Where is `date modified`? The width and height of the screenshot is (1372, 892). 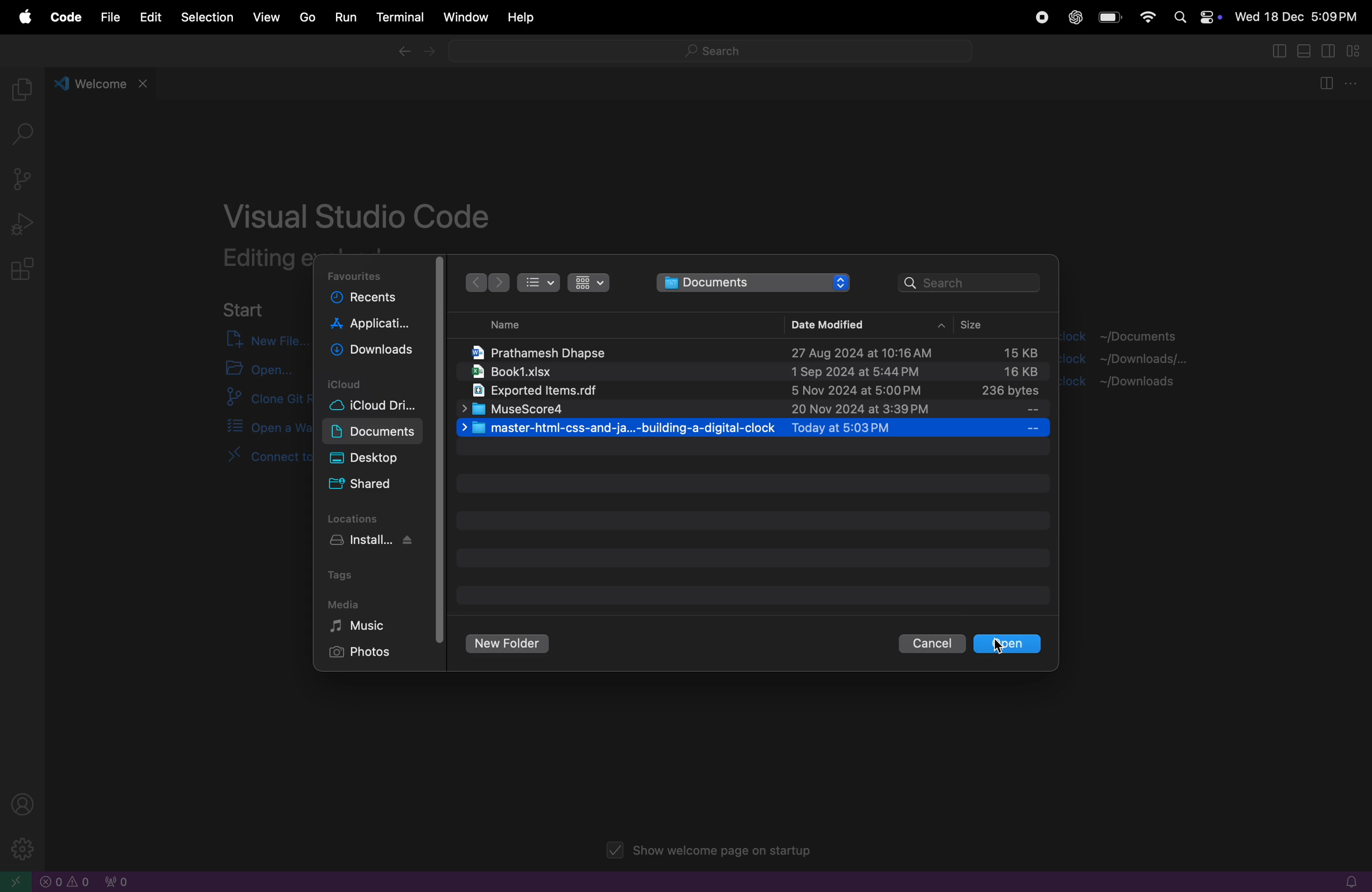
date modified is located at coordinates (825, 323).